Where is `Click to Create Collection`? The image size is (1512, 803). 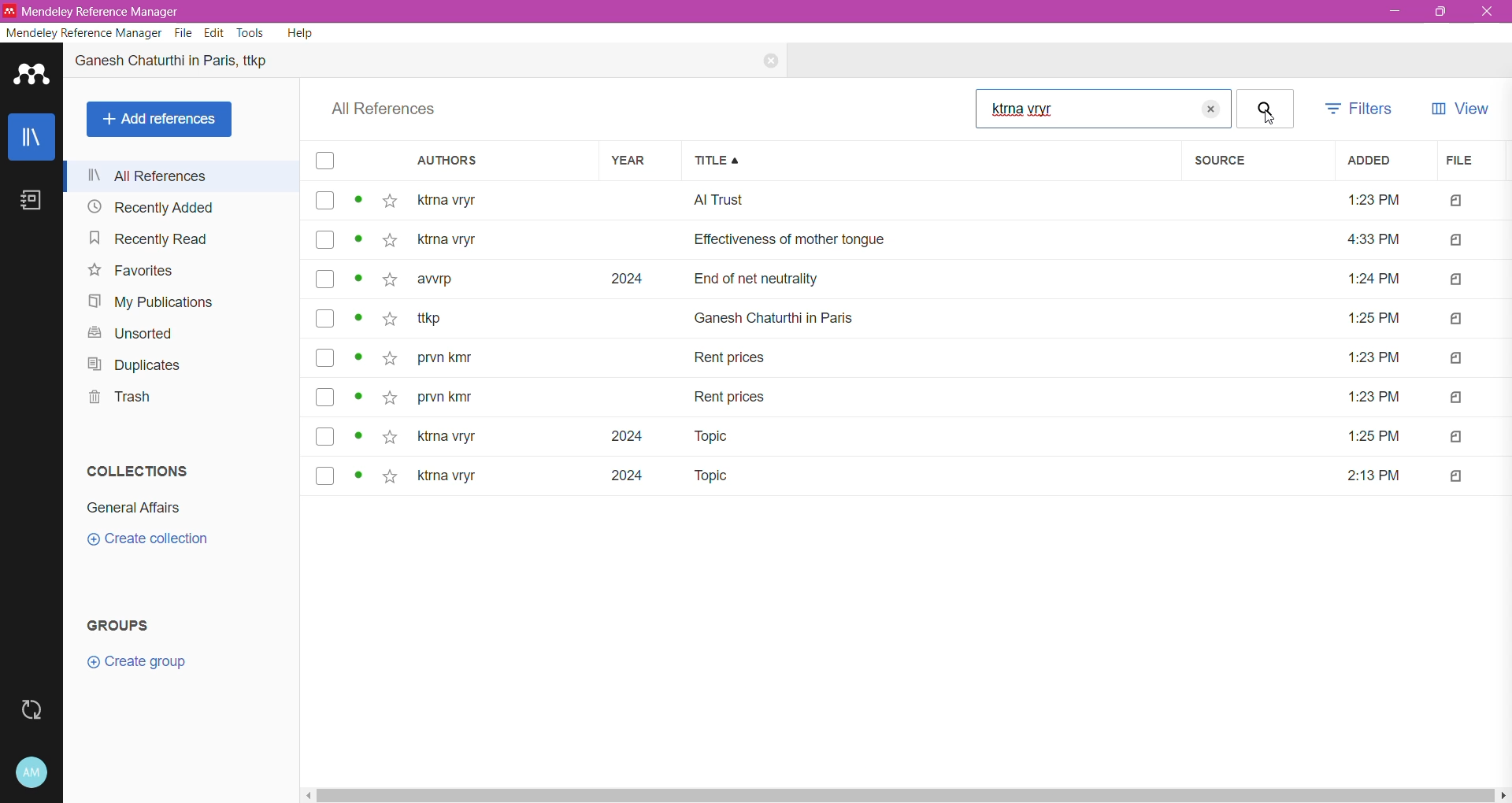
Click to Create Collection is located at coordinates (148, 540).